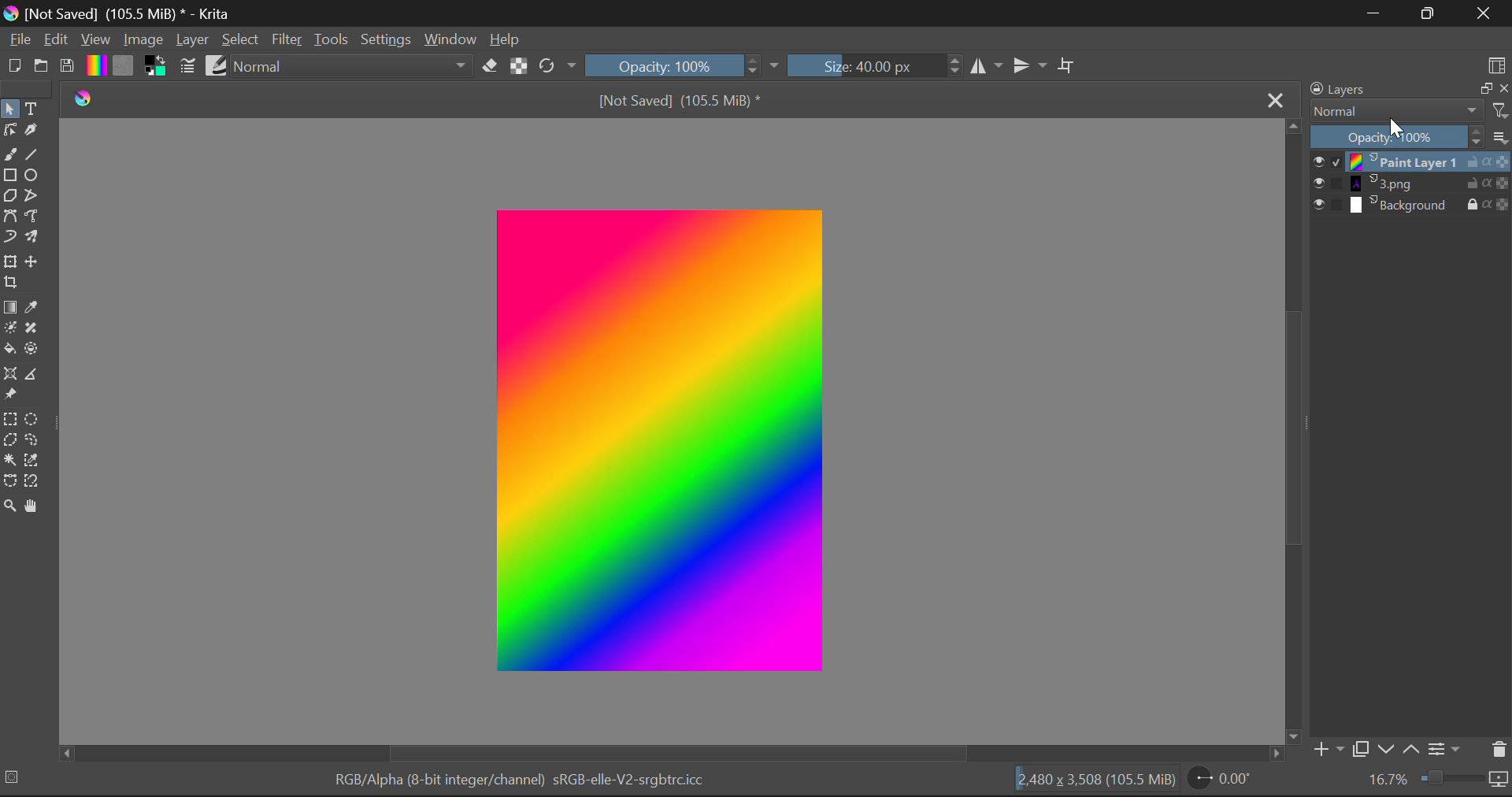  Describe the element at coordinates (13, 283) in the screenshot. I see `Crop` at that location.